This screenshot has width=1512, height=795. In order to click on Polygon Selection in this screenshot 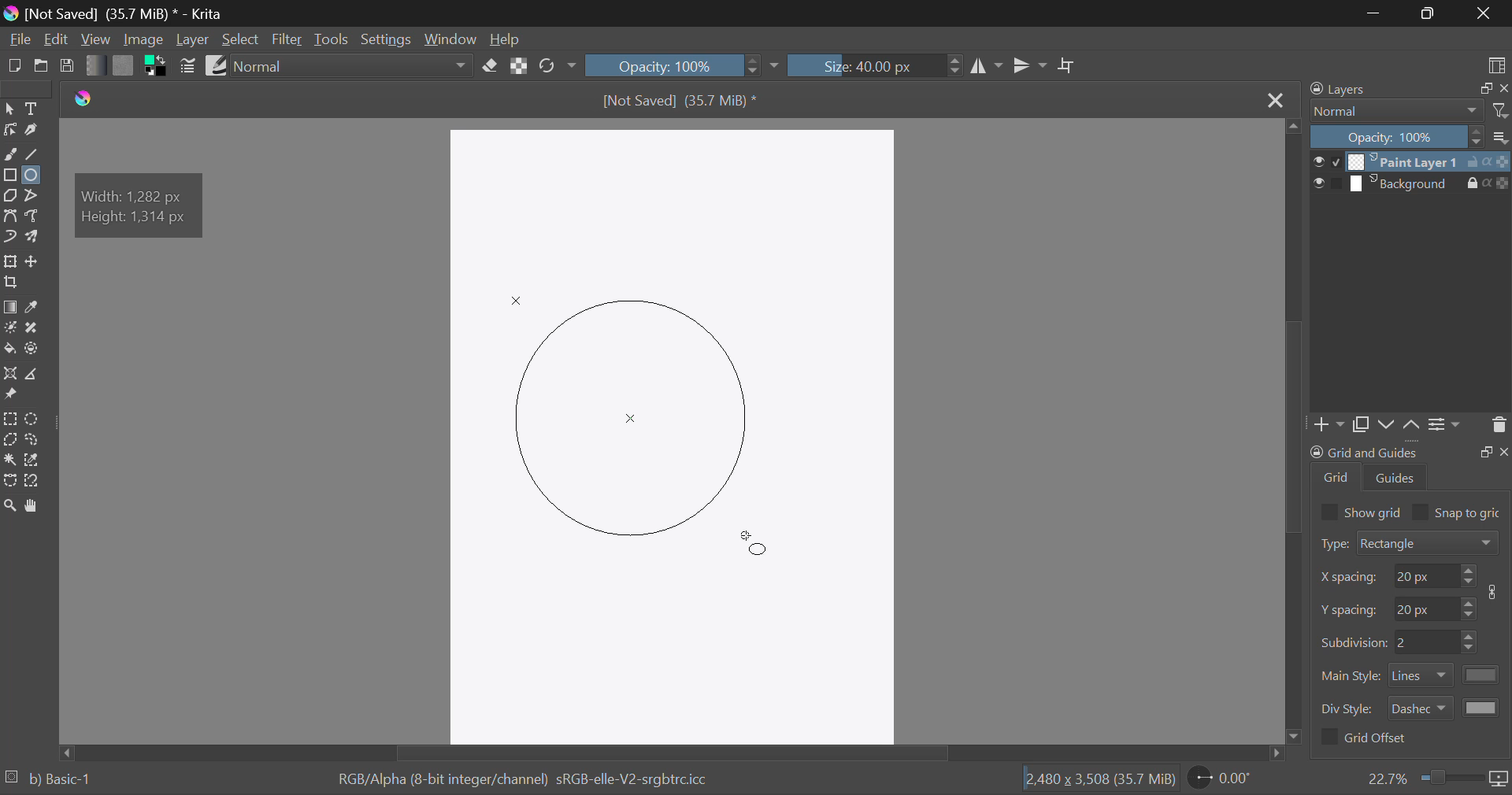, I will do `click(9, 441)`.